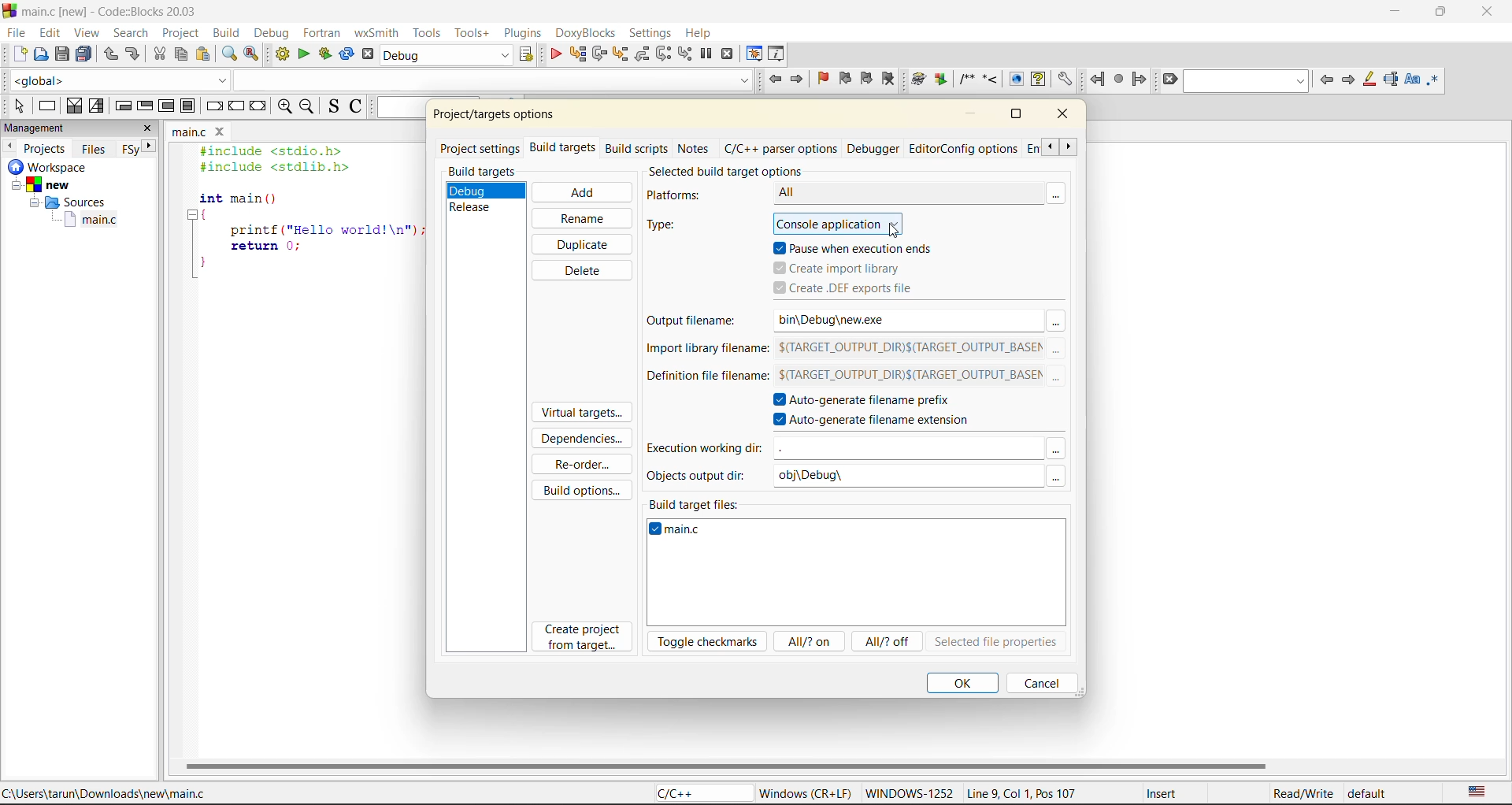 The image size is (1512, 805). What do you see at coordinates (1347, 82) in the screenshot?
I see `next` at bounding box center [1347, 82].